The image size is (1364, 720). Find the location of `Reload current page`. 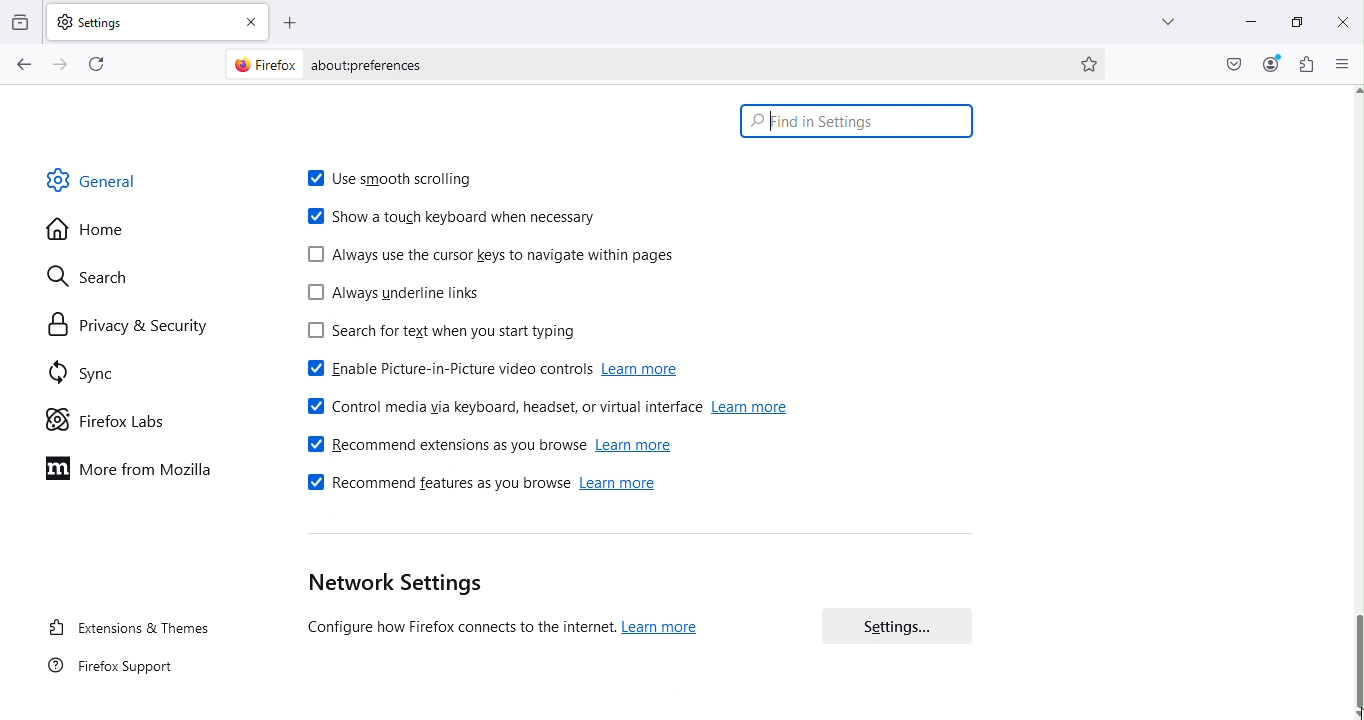

Reload current page is located at coordinates (99, 62).